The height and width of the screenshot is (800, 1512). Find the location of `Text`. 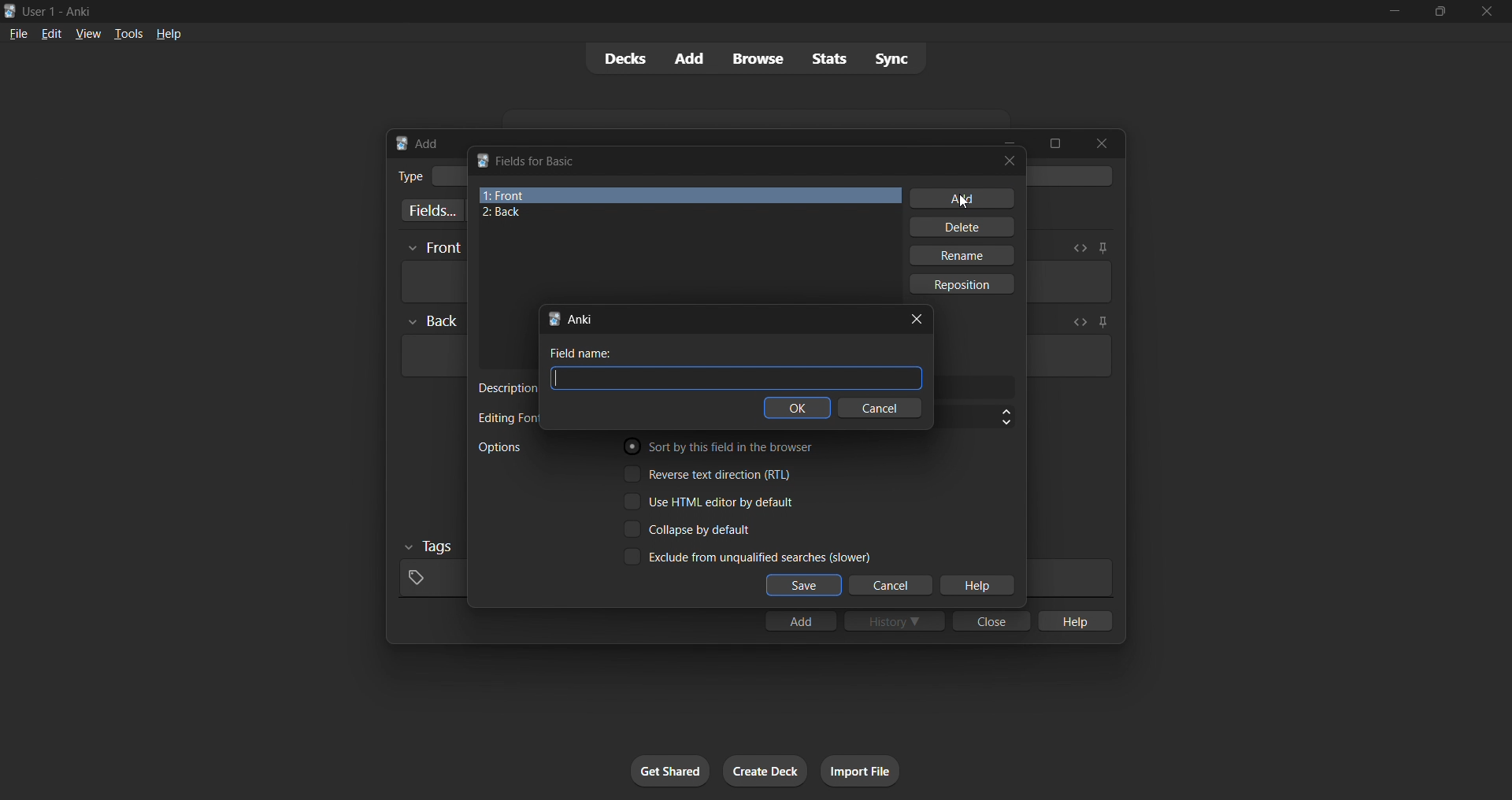

Text is located at coordinates (409, 176).